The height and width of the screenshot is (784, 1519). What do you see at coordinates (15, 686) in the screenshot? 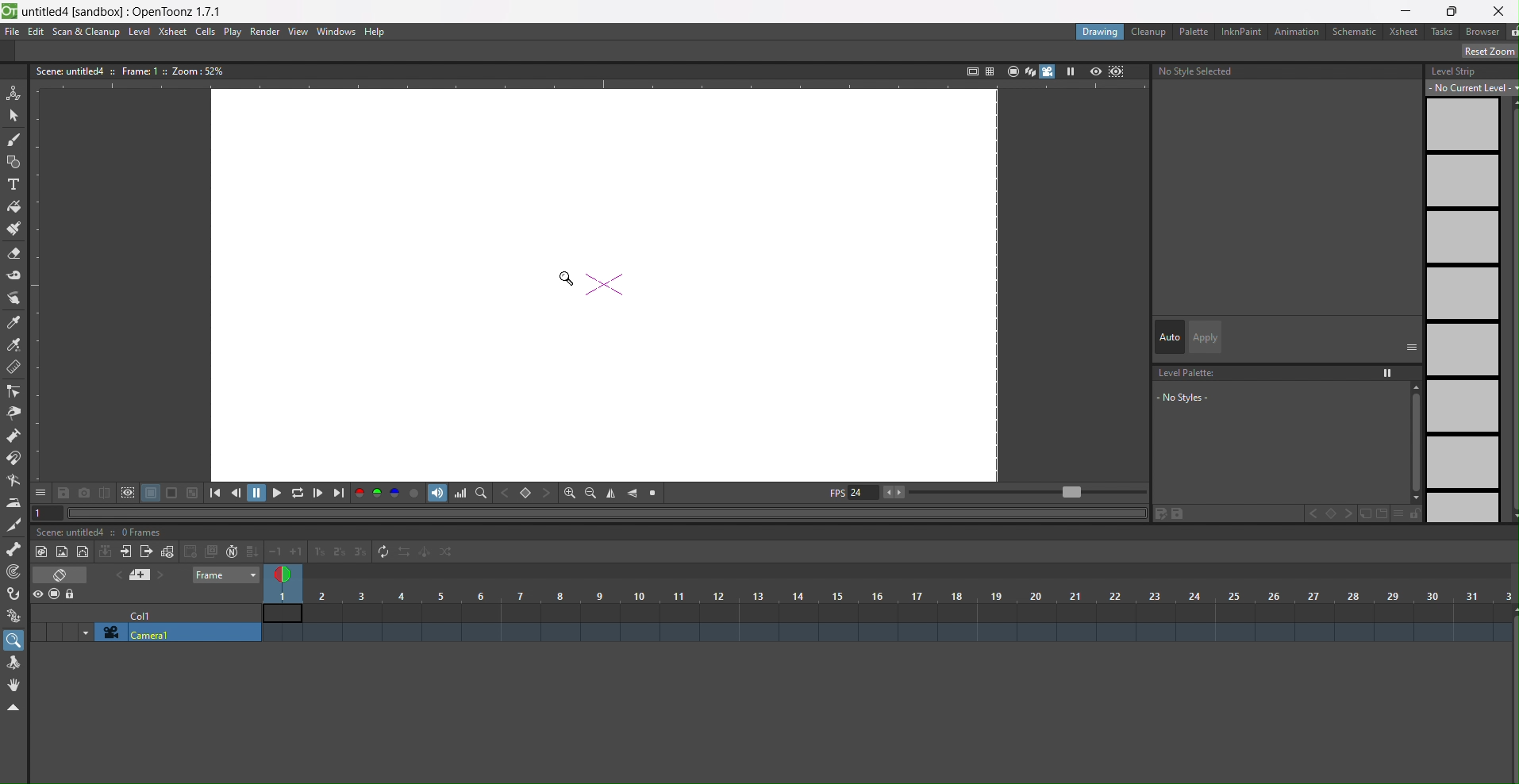
I see `` at bounding box center [15, 686].